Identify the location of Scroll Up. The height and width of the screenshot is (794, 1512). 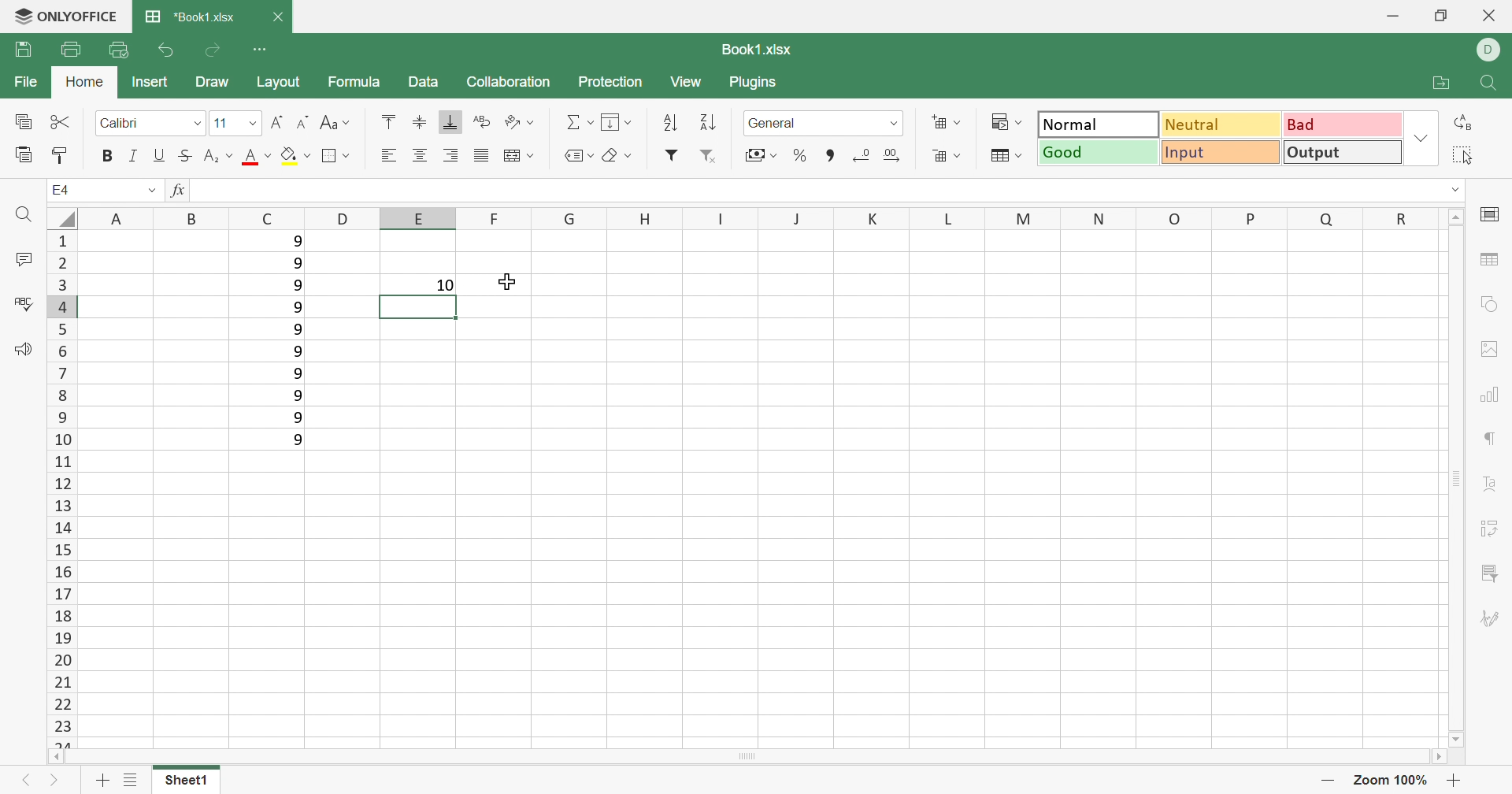
(1458, 217).